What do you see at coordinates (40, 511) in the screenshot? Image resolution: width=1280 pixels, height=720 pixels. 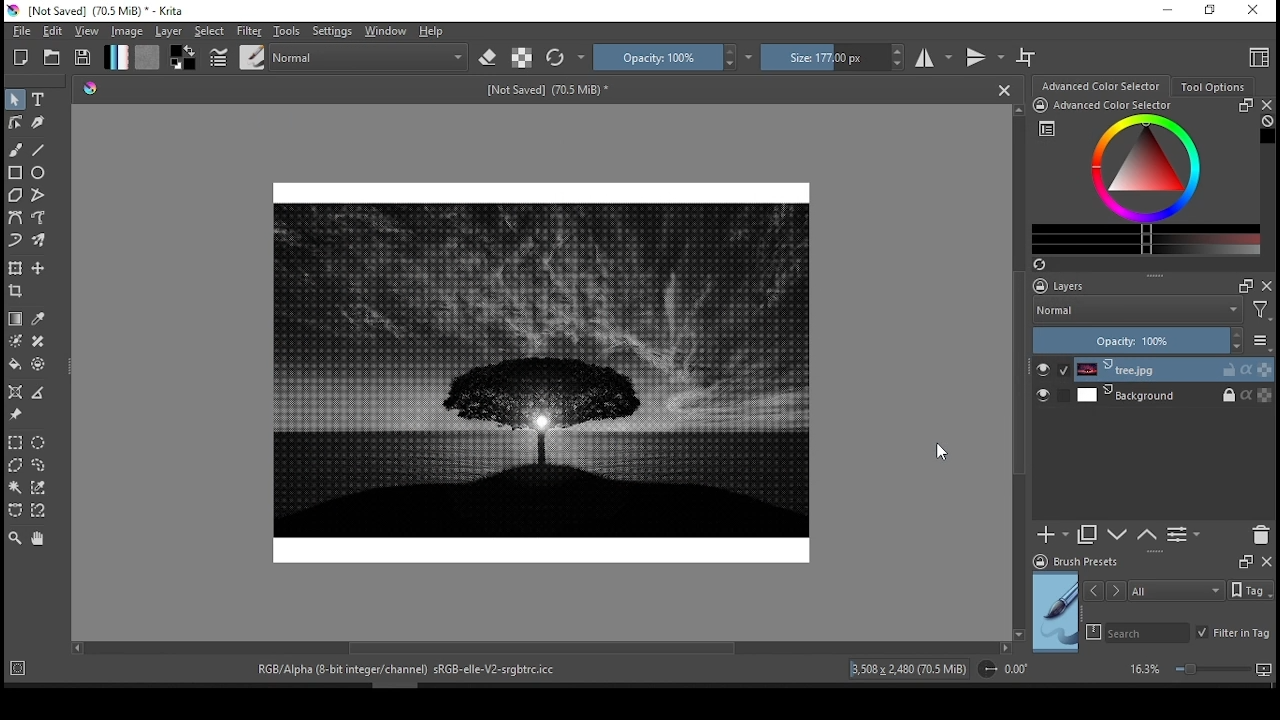 I see `magnetic curve selection tool` at bounding box center [40, 511].